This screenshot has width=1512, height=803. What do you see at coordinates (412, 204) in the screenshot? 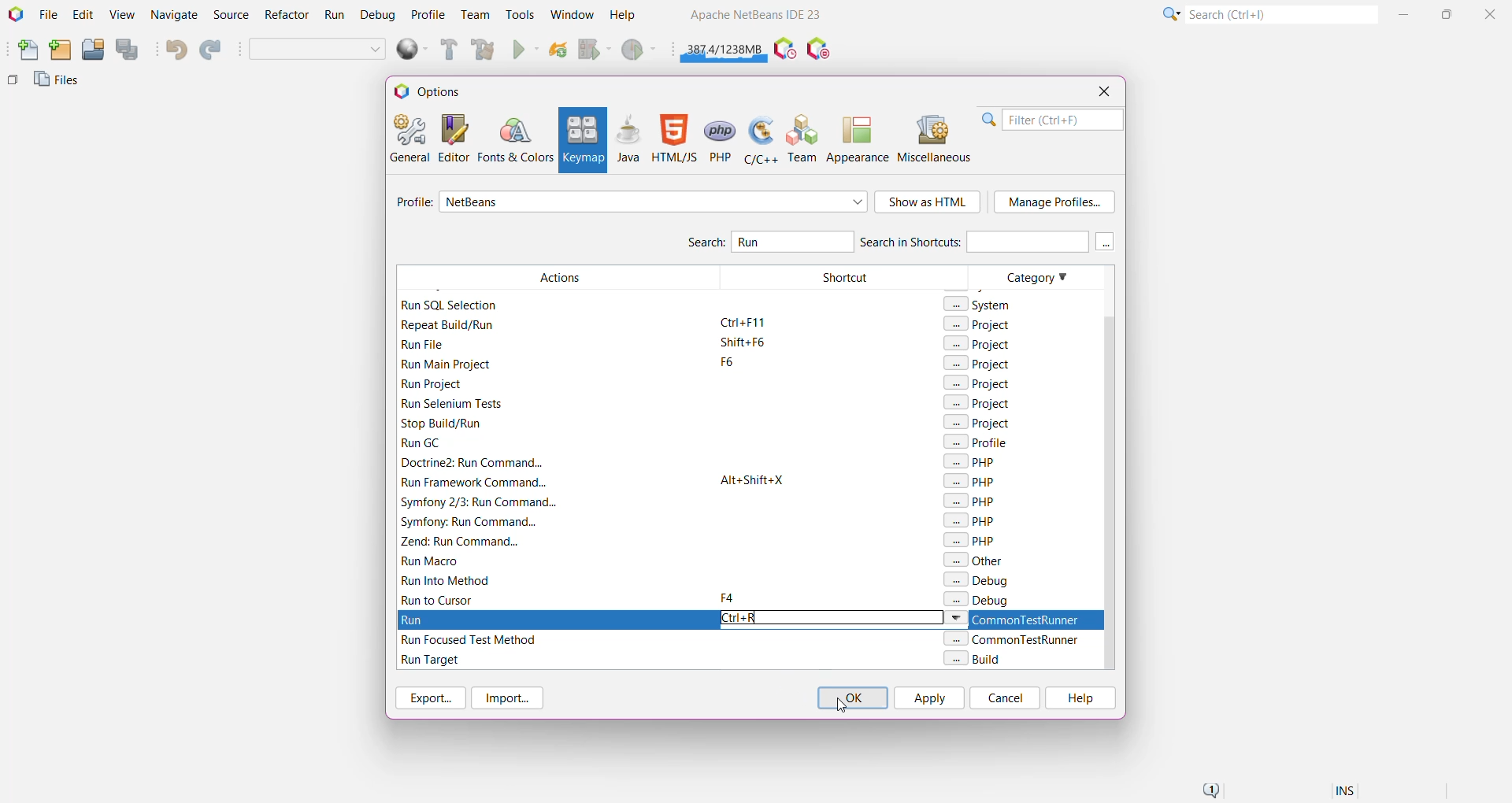
I see `Profile` at bounding box center [412, 204].